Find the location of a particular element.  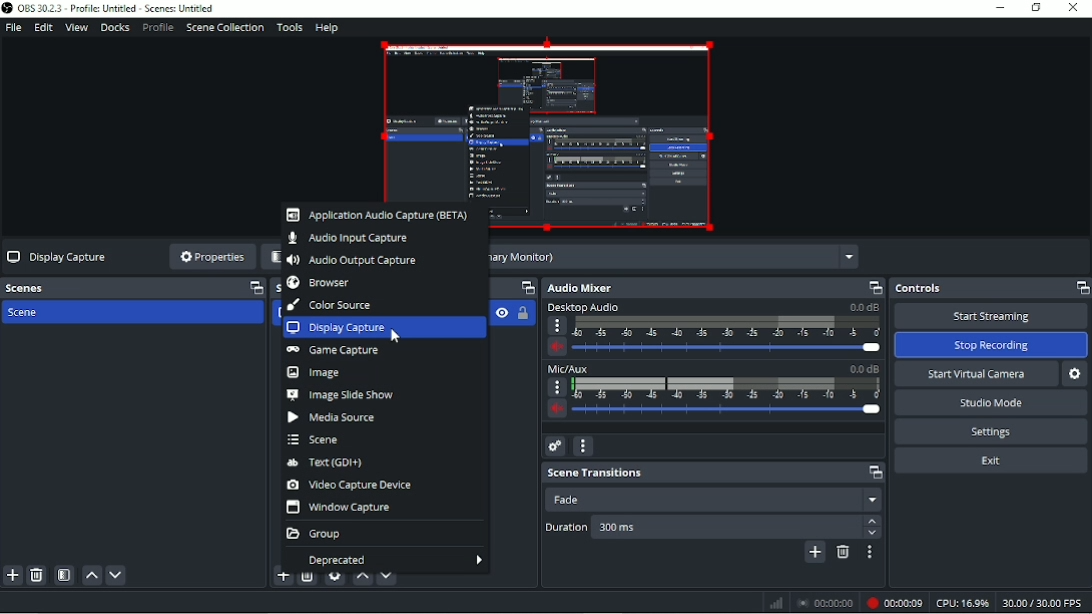

Move source(s) up is located at coordinates (361, 578).